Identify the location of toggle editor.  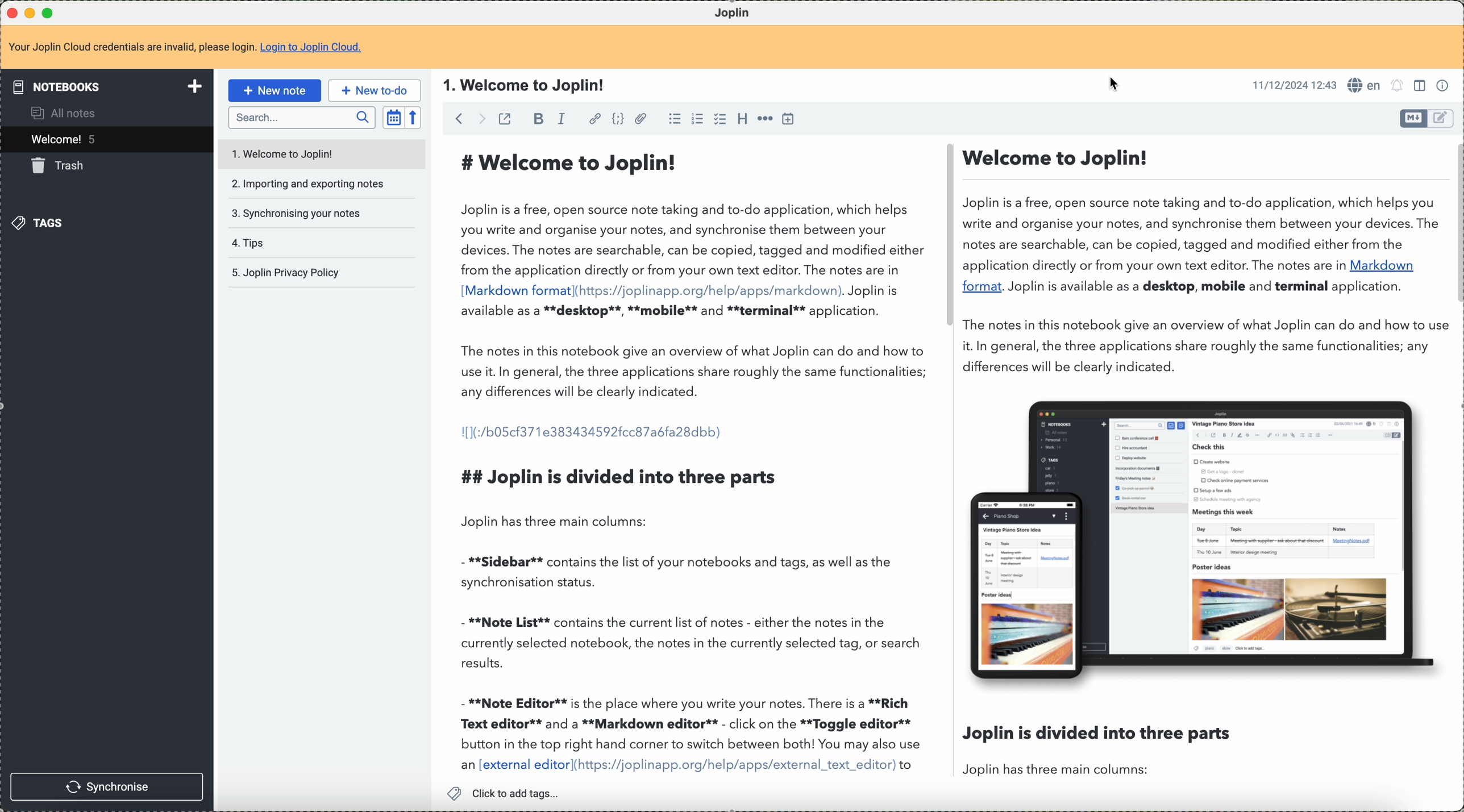
(1442, 118).